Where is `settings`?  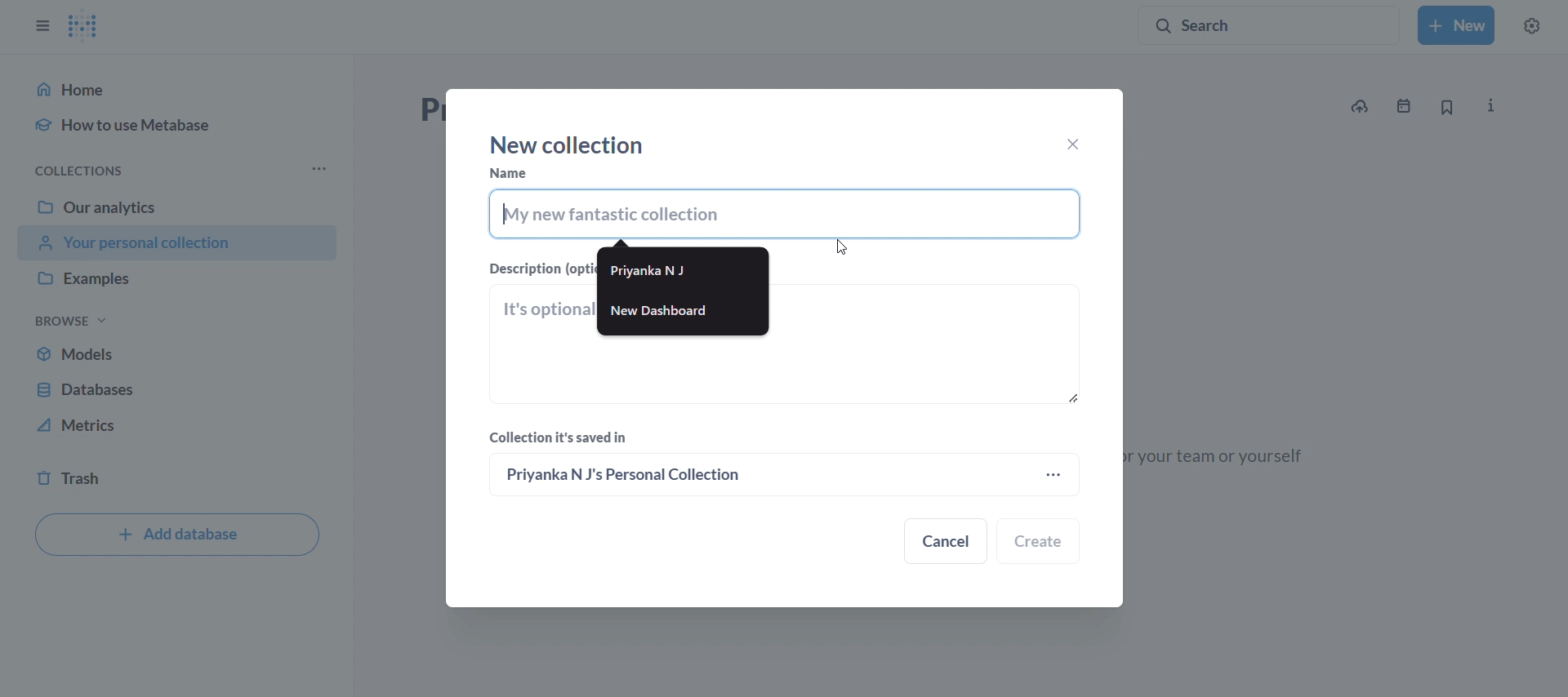 settings is located at coordinates (1541, 23).